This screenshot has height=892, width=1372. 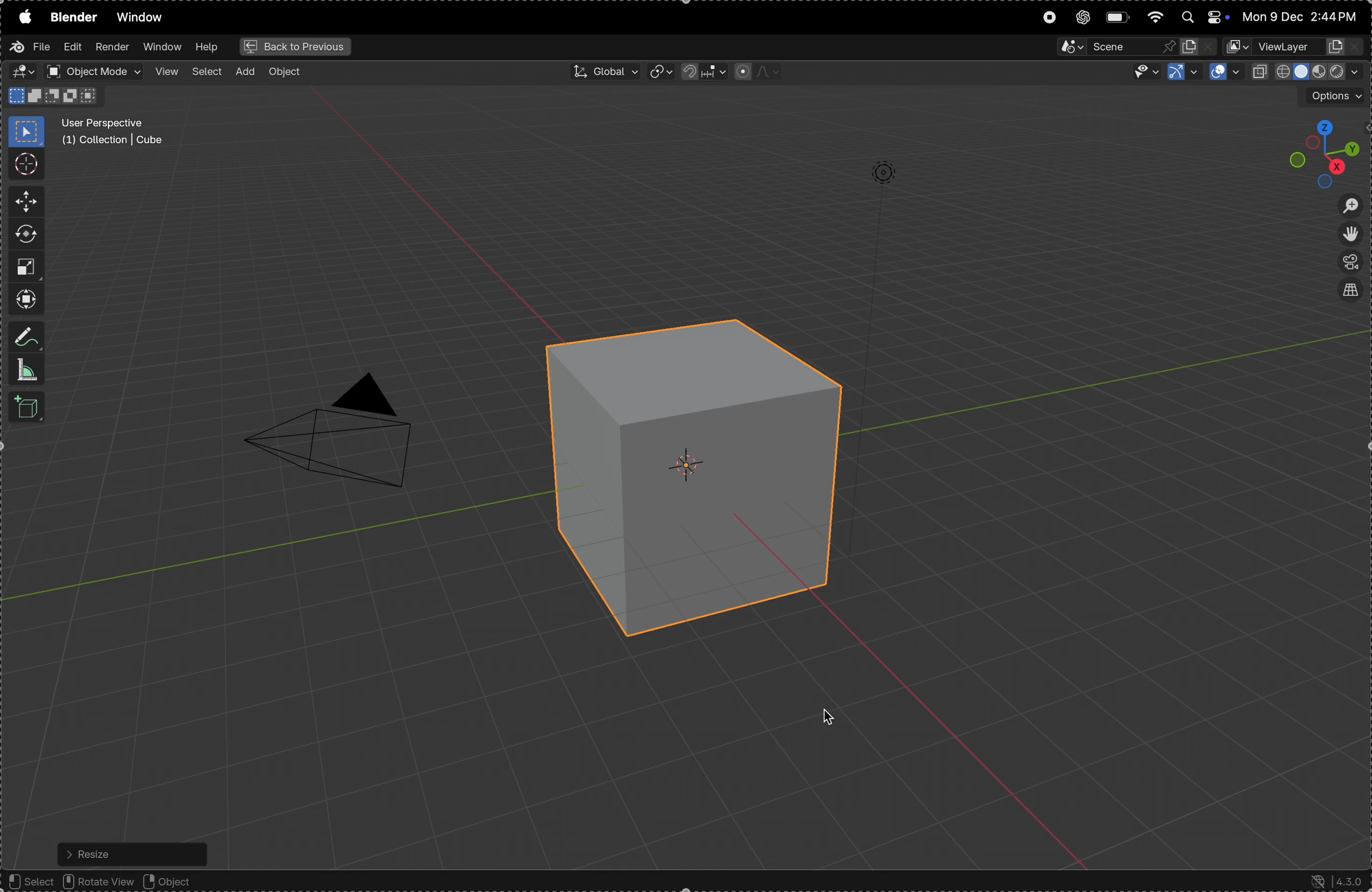 I want to click on render, so click(x=111, y=46).